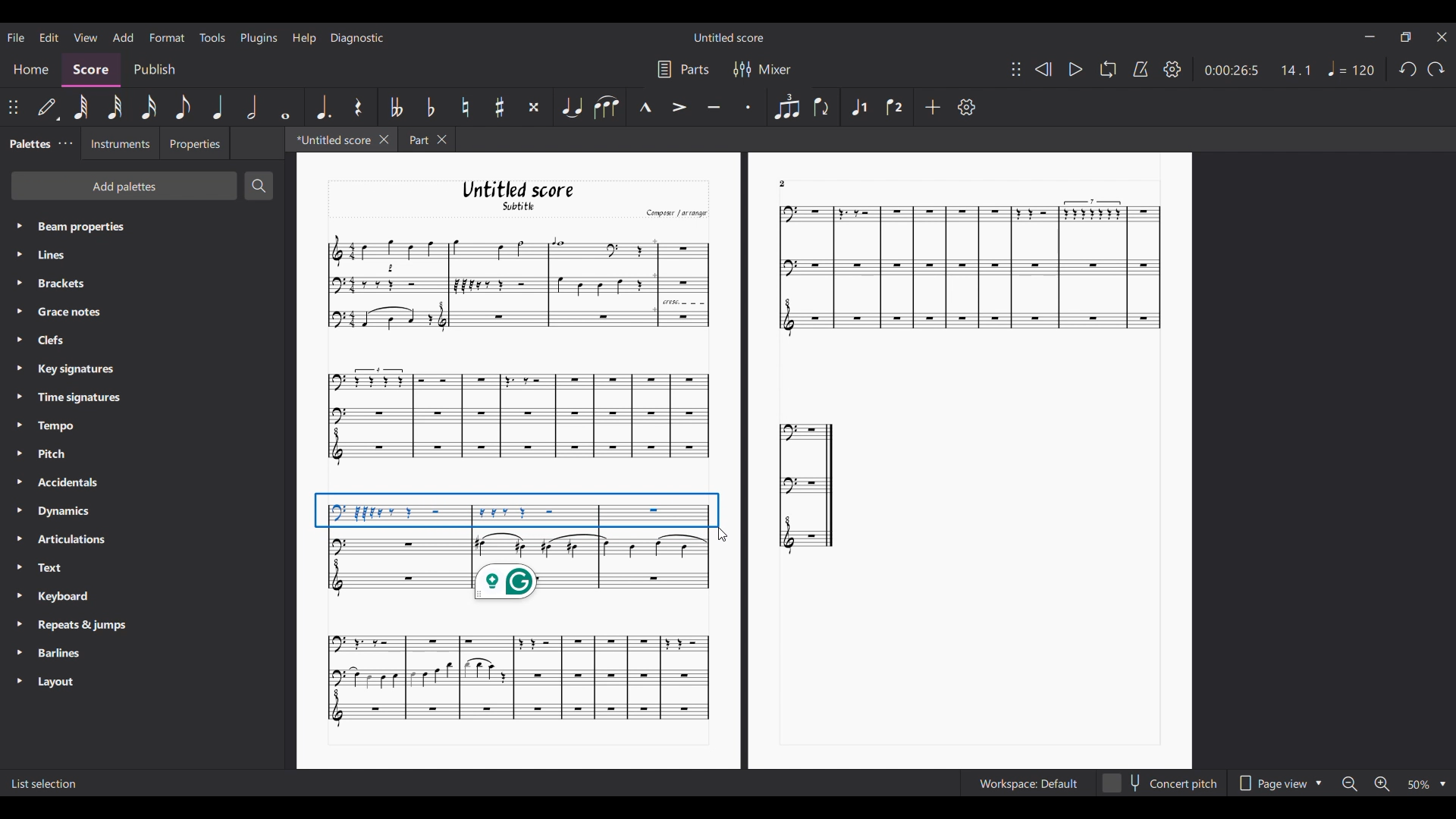  What do you see at coordinates (72, 226) in the screenshot?
I see `> Beam properties` at bounding box center [72, 226].